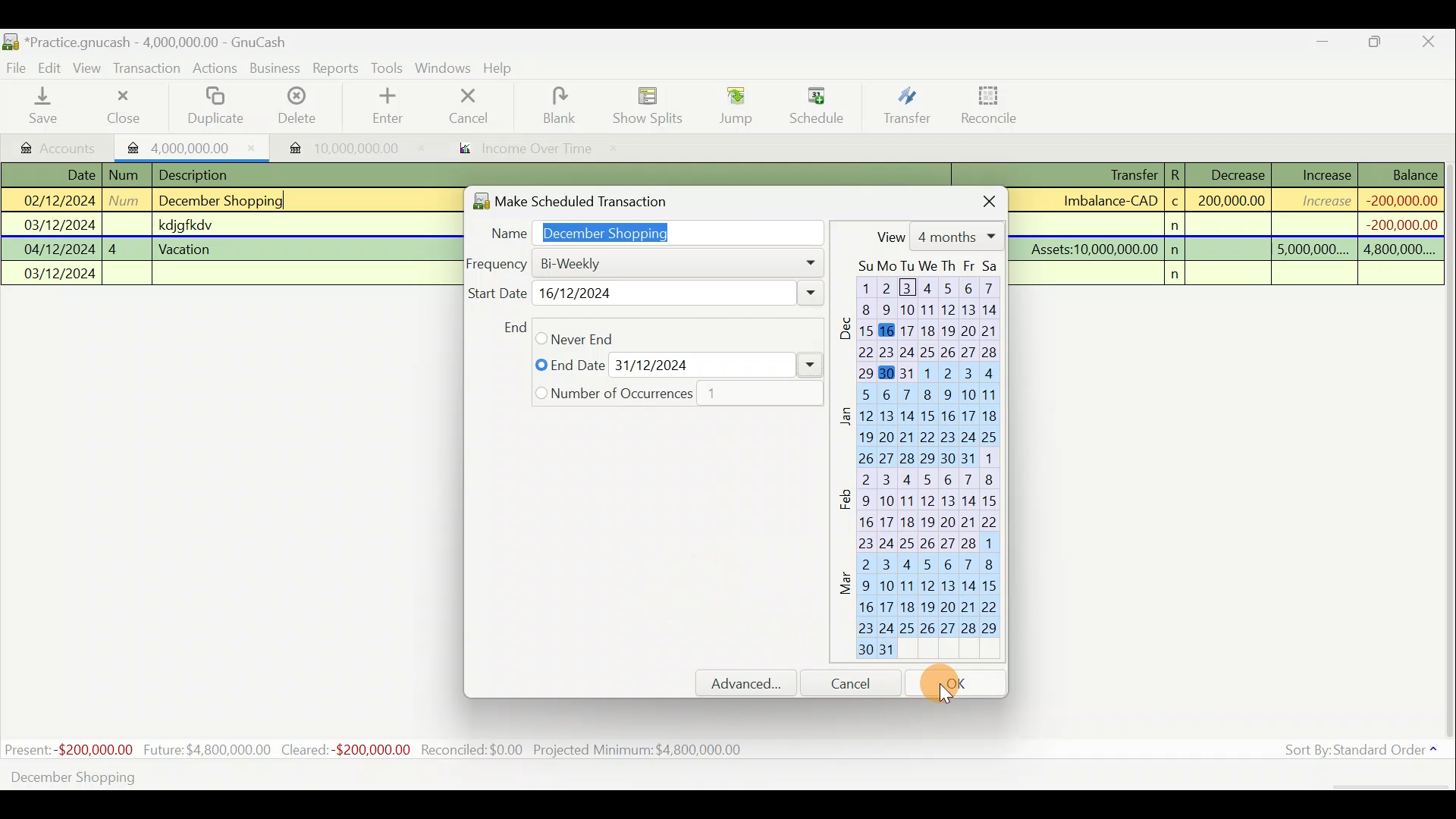 This screenshot has width=1456, height=819. I want to click on Transaction details, so click(1235, 224).